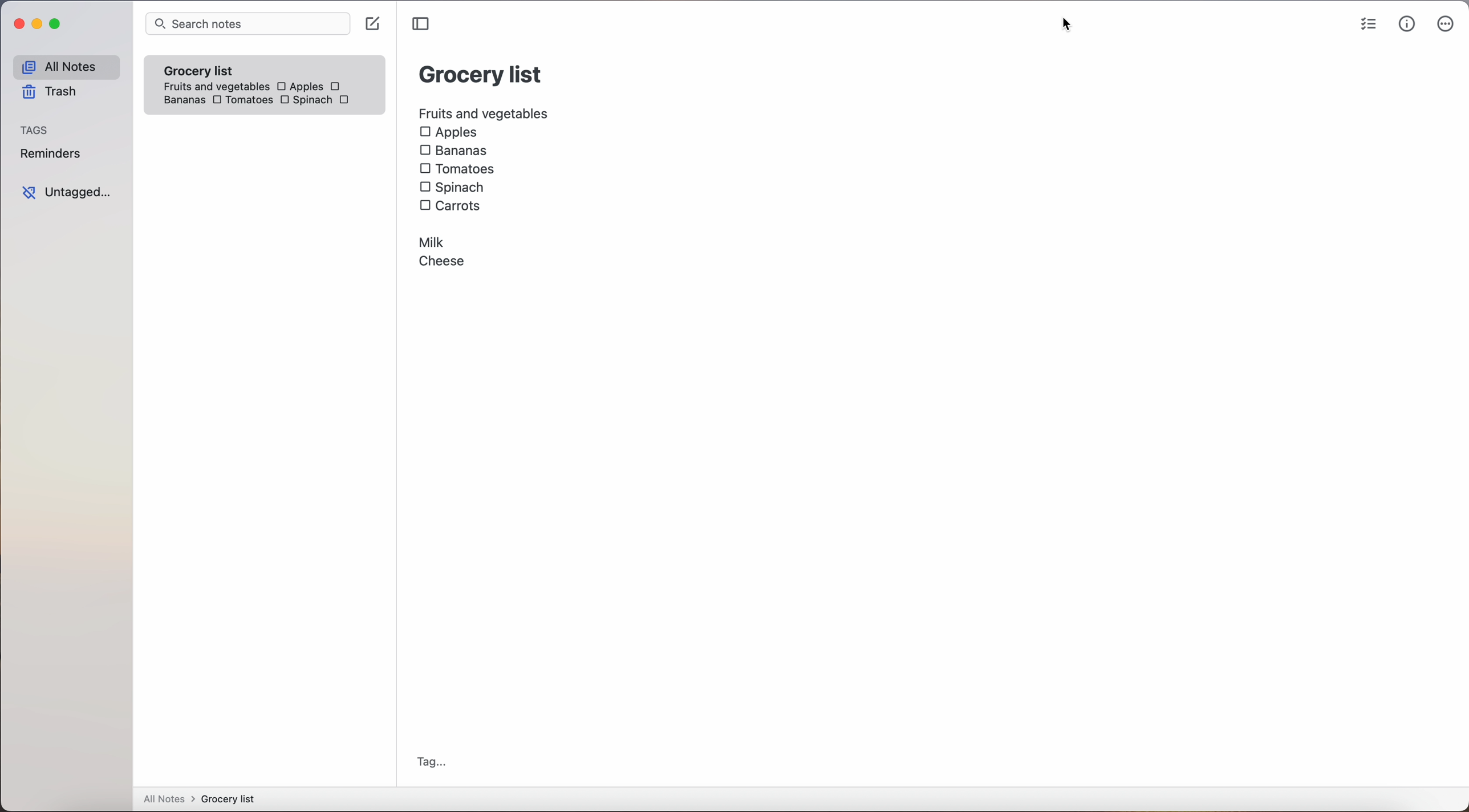  Describe the element at coordinates (64, 66) in the screenshot. I see `all notes` at that location.